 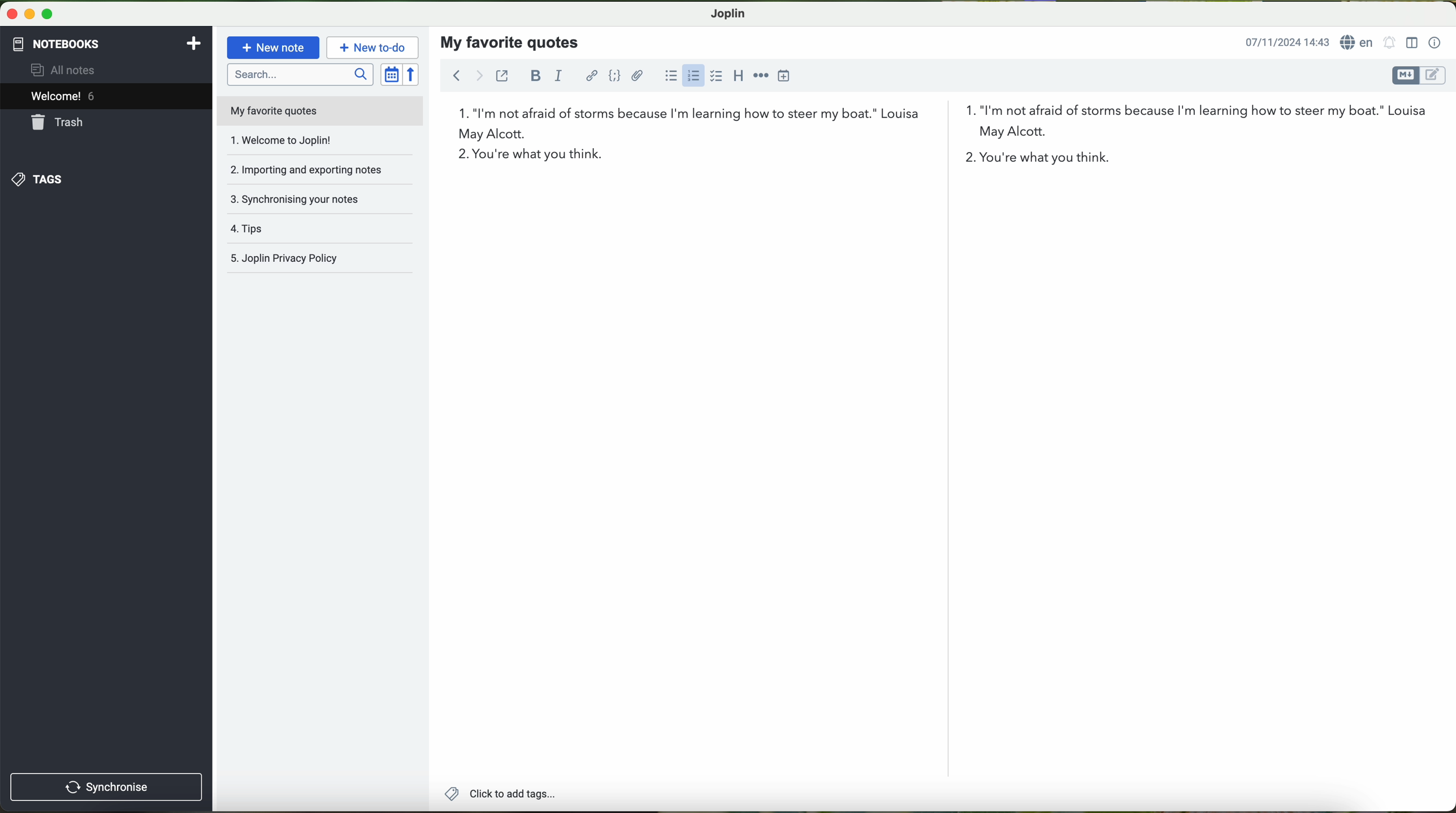 I want to click on my favorite quotes file, so click(x=276, y=111).